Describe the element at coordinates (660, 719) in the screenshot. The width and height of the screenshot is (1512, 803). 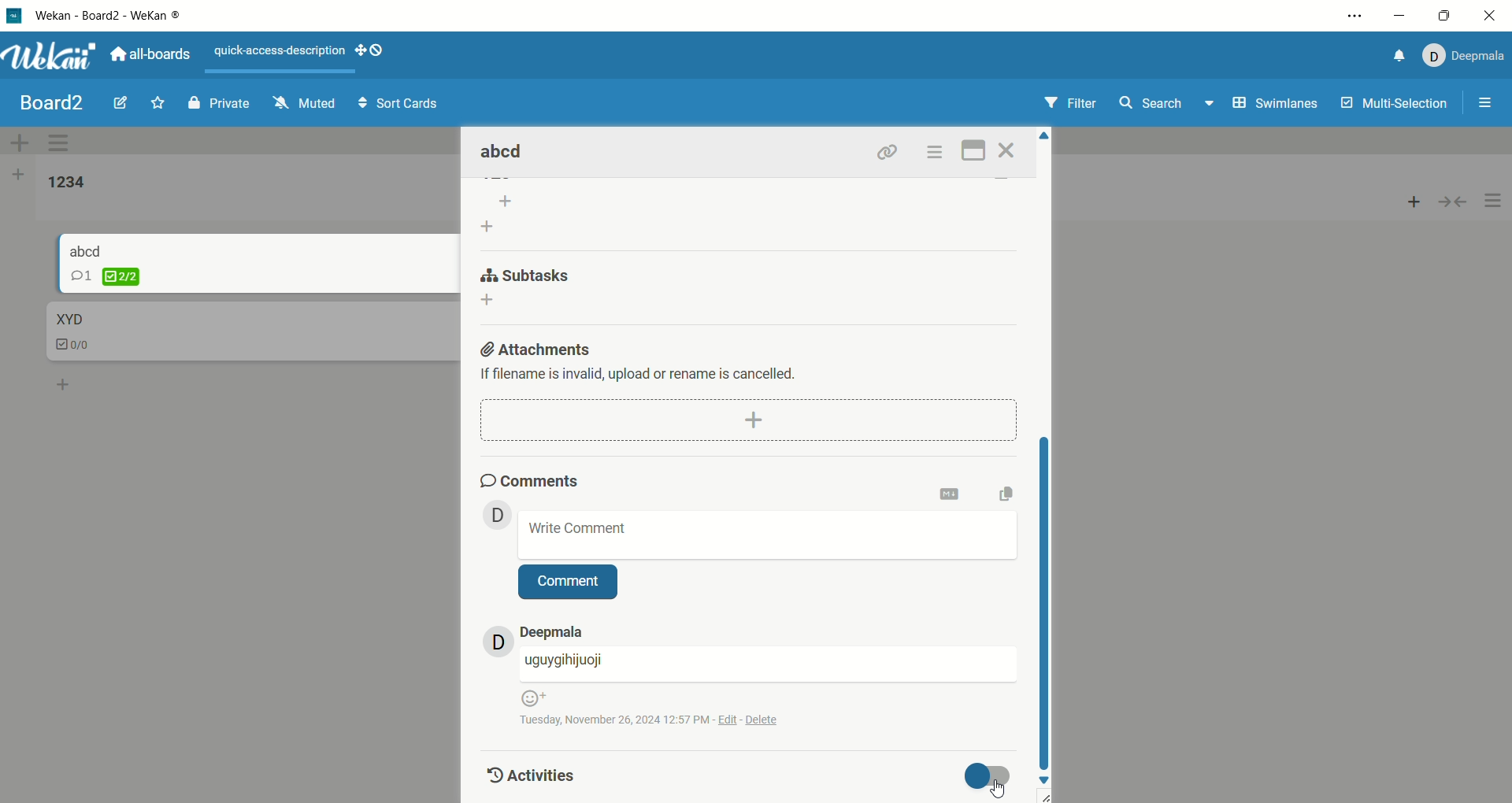
I see `time and date` at that location.